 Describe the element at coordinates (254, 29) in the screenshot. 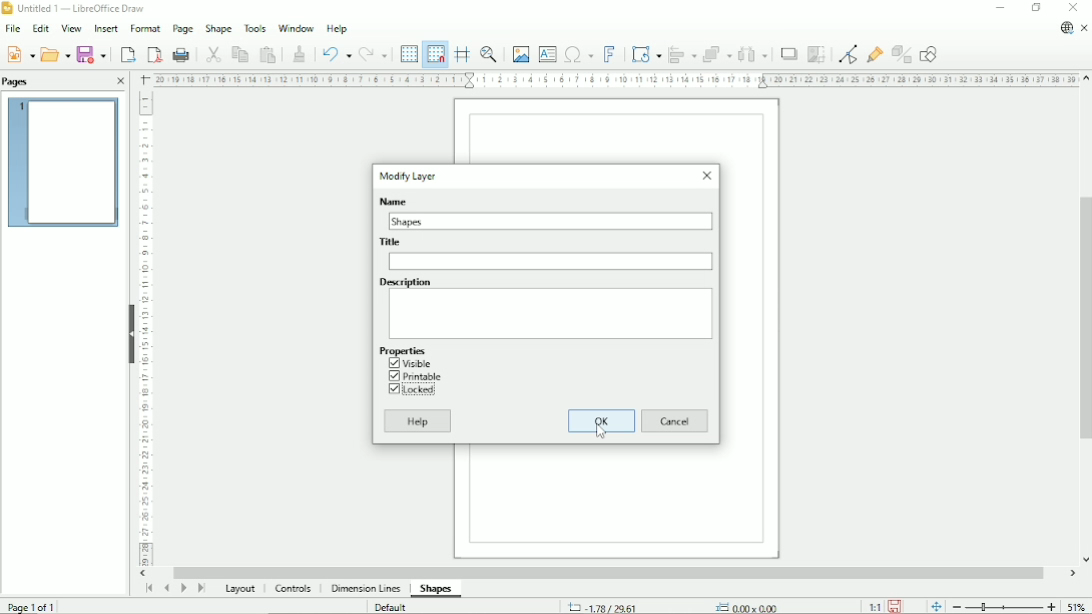

I see `Tools` at that location.